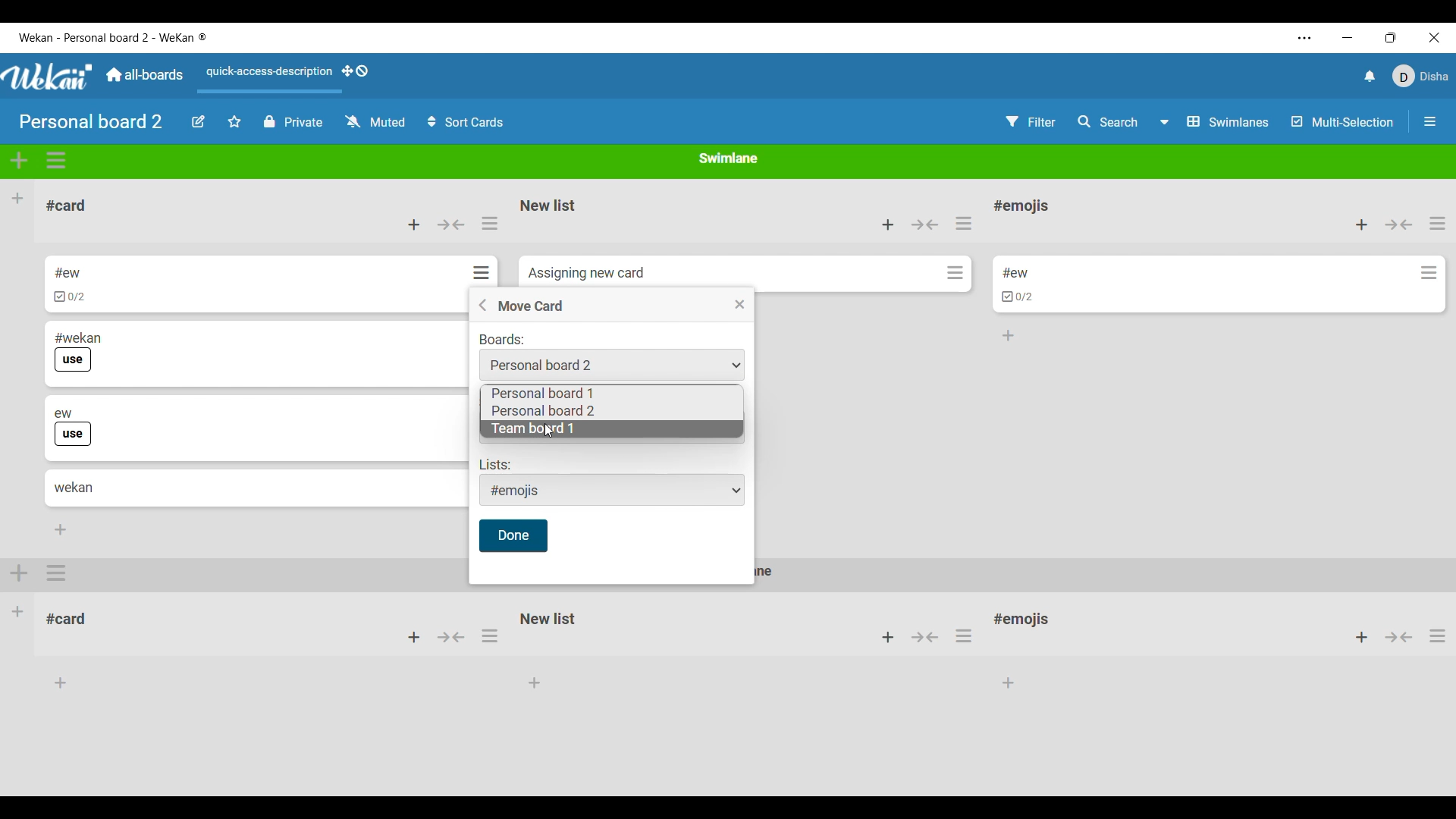 Image resolution: width=1456 pixels, height=819 pixels. What do you see at coordinates (92, 121) in the screenshot?
I see `Board title` at bounding box center [92, 121].